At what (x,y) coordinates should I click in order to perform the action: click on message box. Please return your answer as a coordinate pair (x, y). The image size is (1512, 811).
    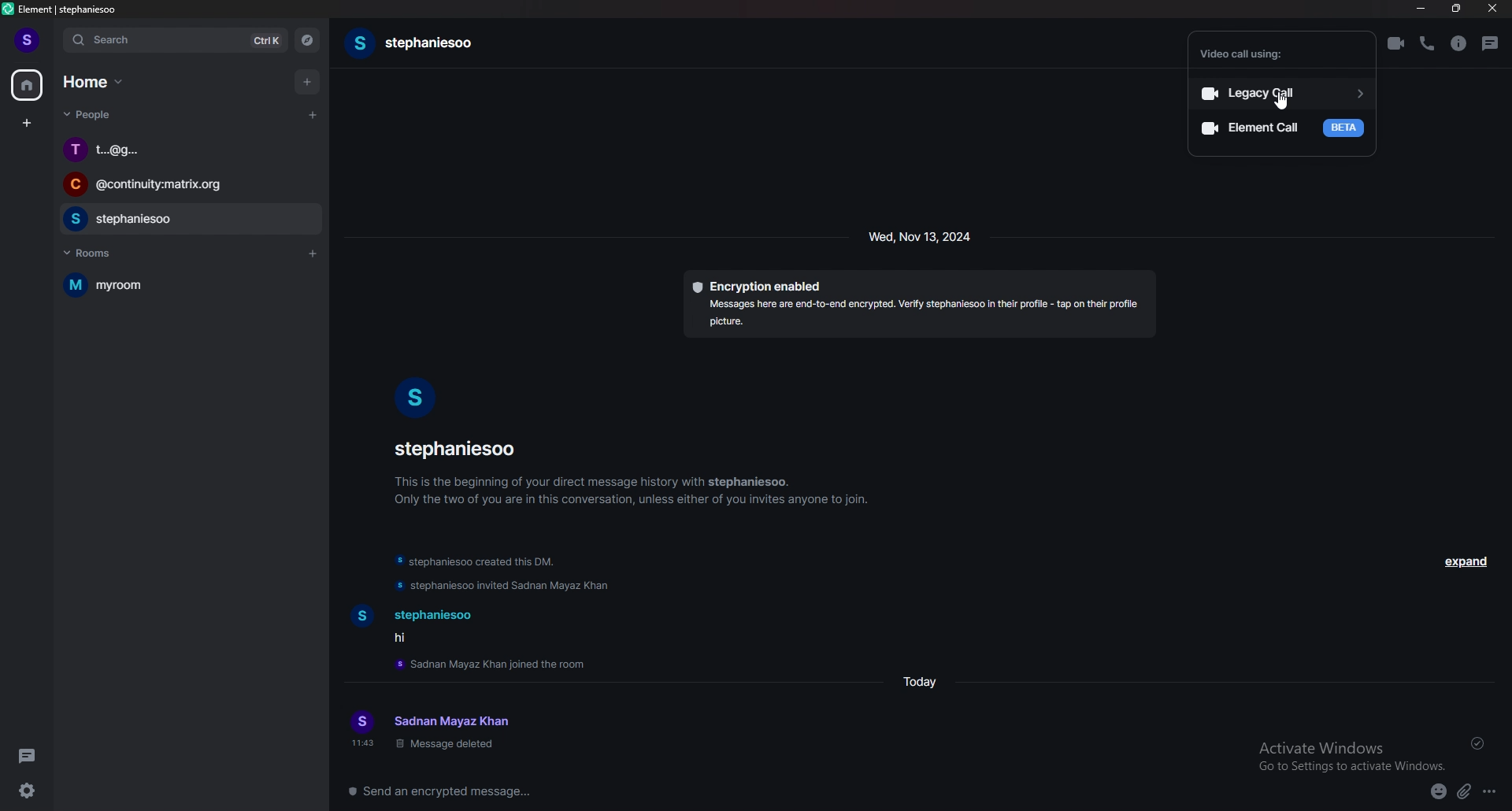
    Looking at the image, I should click on (775, 791).